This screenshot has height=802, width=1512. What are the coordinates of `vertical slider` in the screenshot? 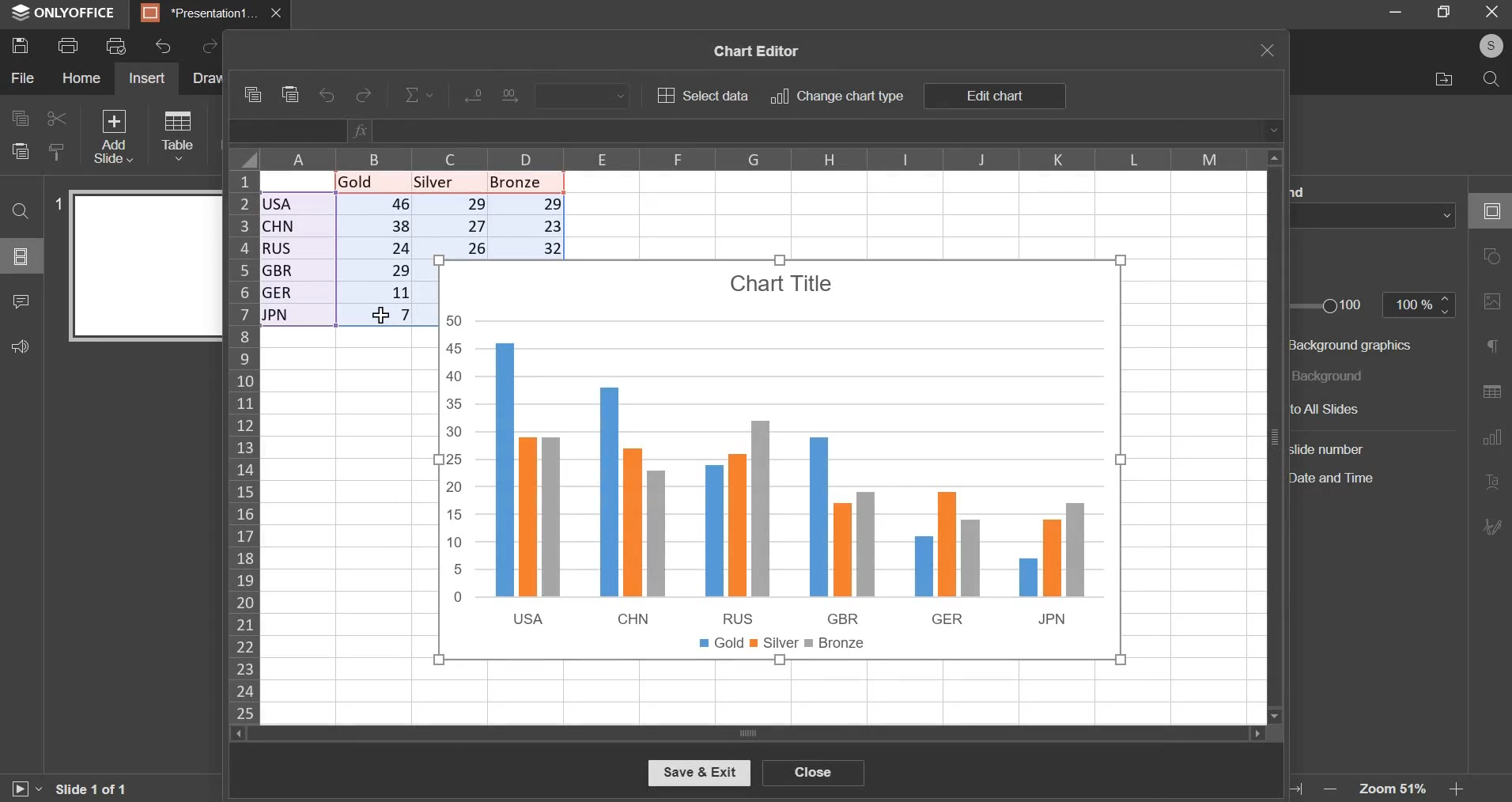 It's located at (1274, 435).